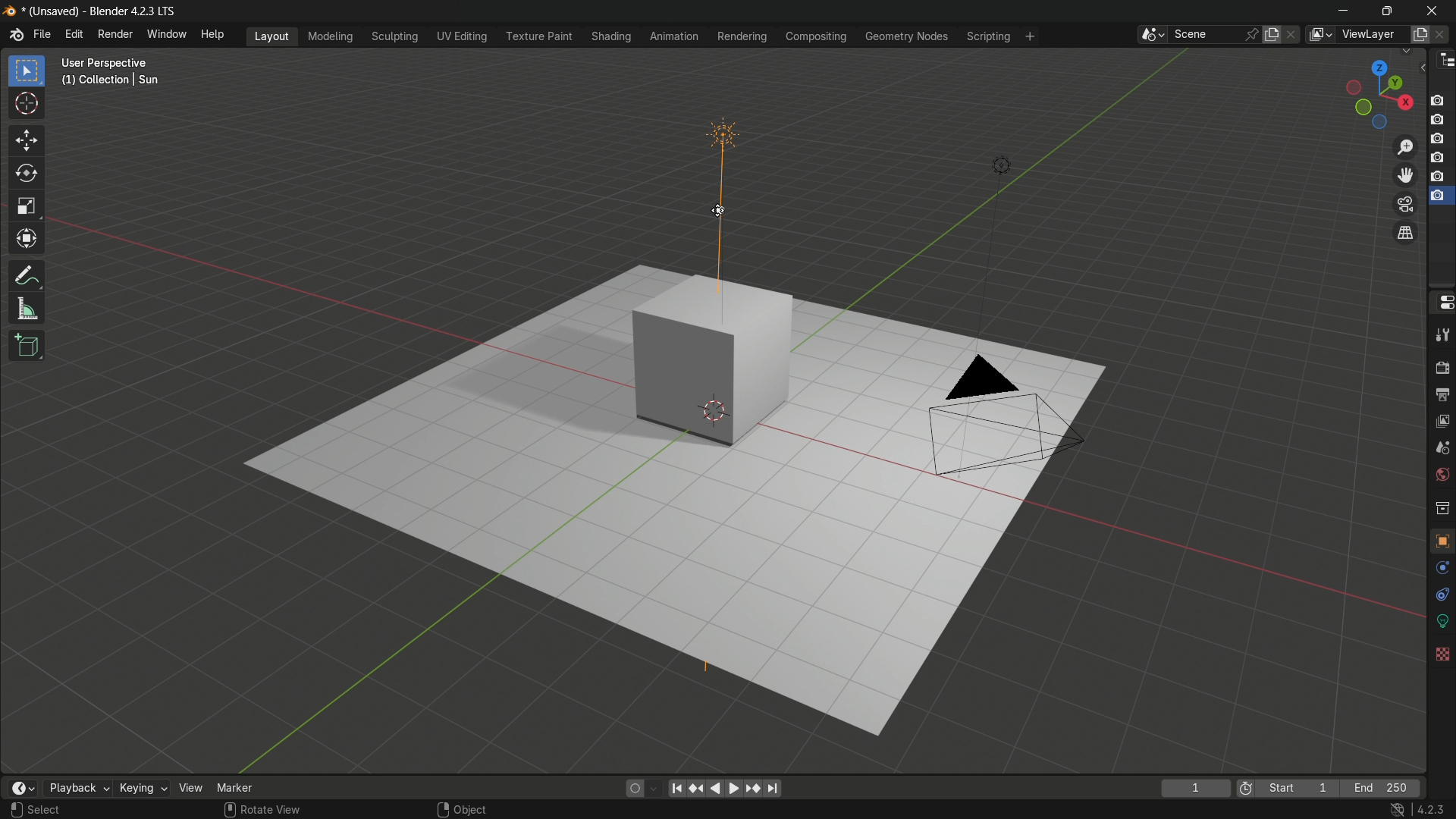  Describe the element at coordinates (1406, 147) in the screenshot. I see `zoom in/out` at that location.